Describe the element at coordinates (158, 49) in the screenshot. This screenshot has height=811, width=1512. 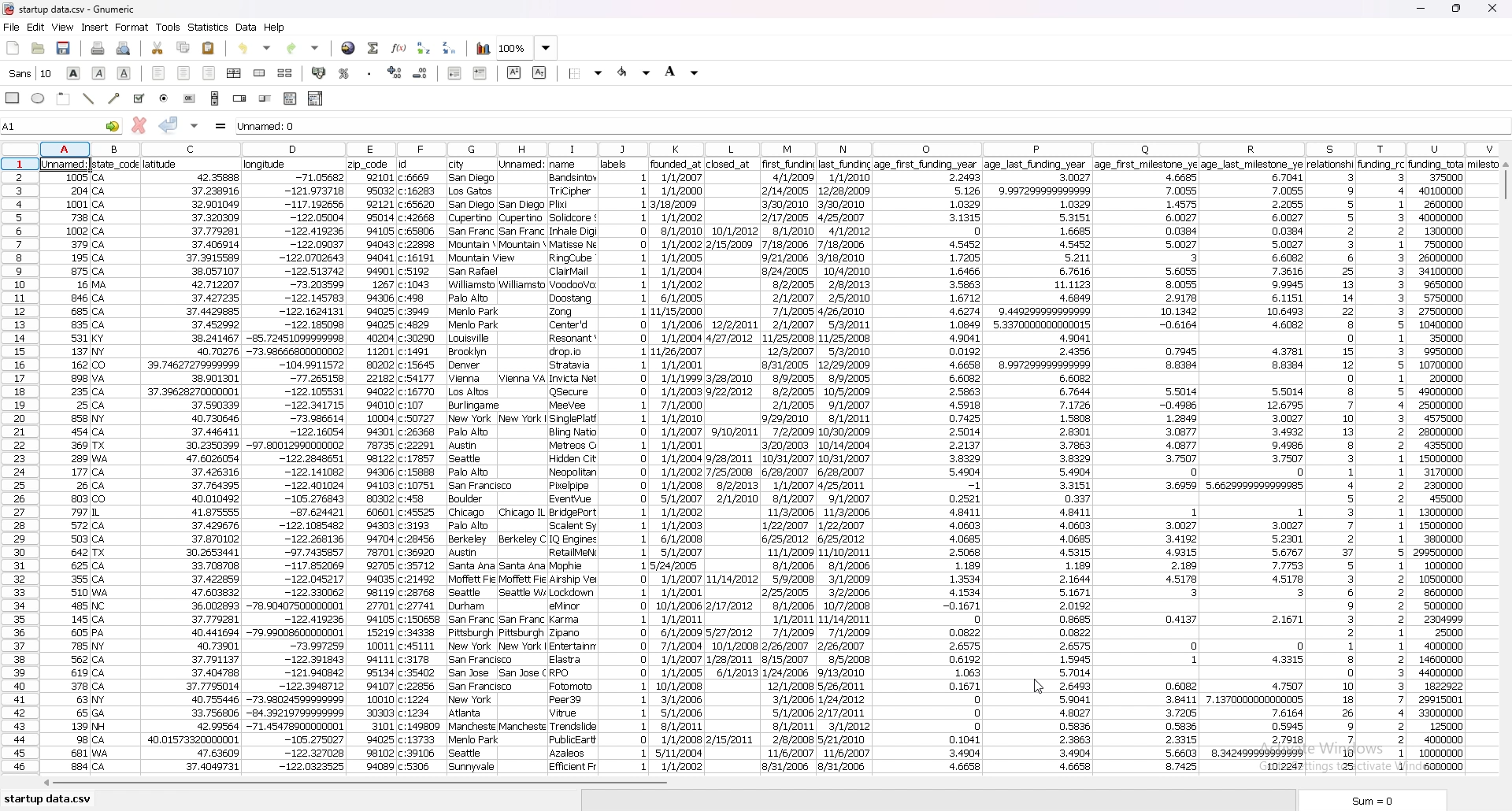
I see `cut` at that location.